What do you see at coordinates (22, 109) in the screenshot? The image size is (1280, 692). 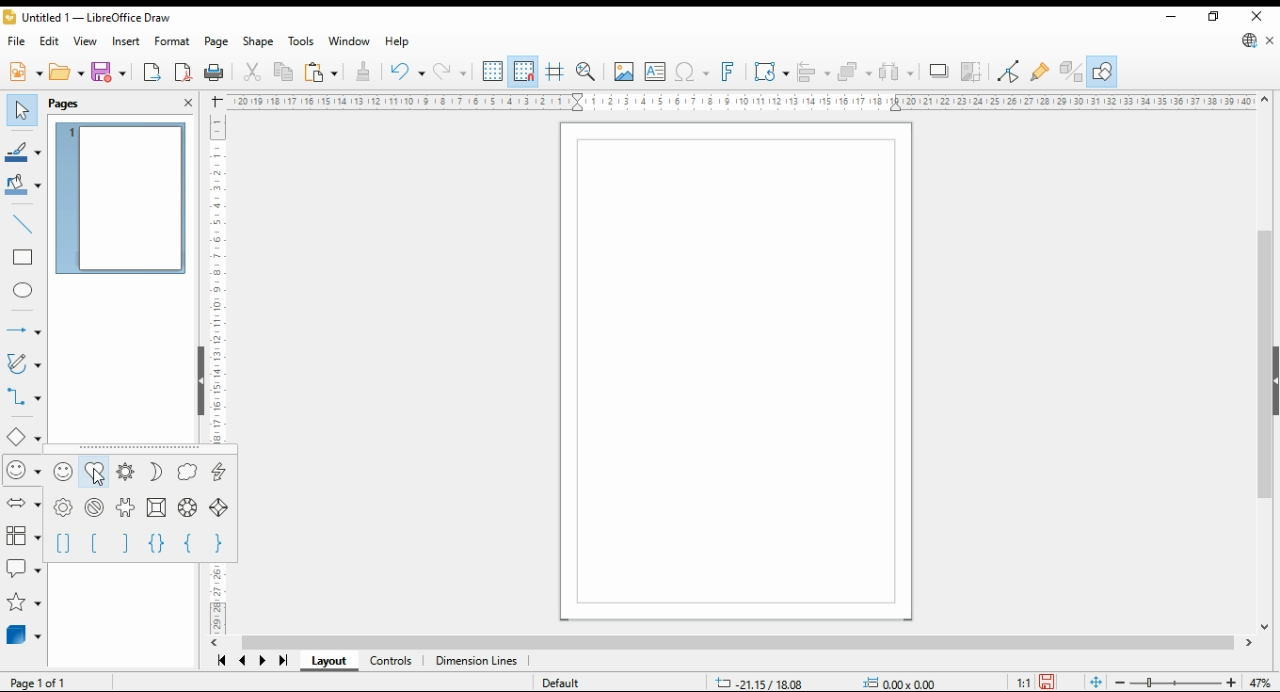 I see `select` at bounding box center [22, 109].